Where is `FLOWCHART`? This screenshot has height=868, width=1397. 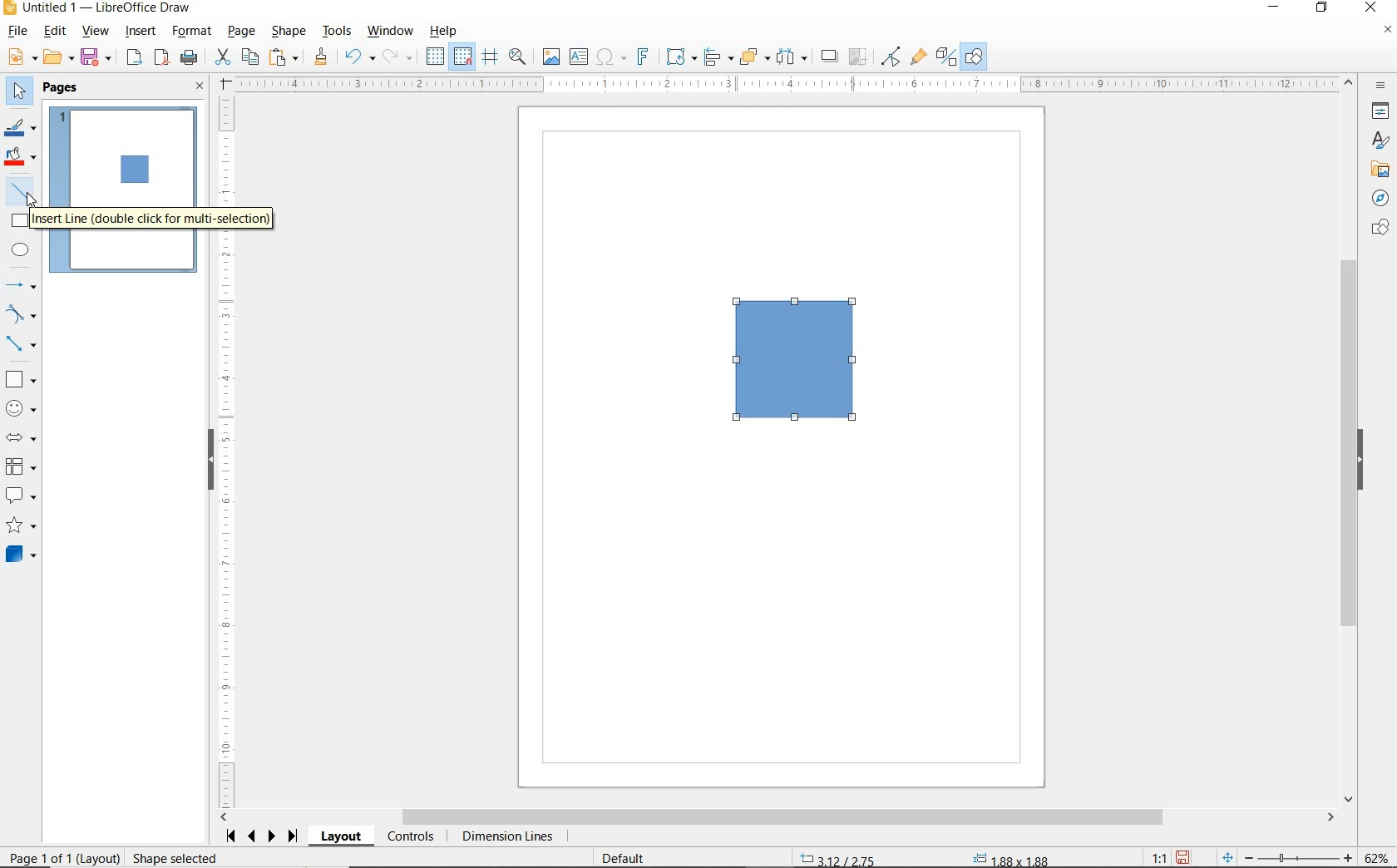 FLOWCHART is located at coordinates (24, 466).